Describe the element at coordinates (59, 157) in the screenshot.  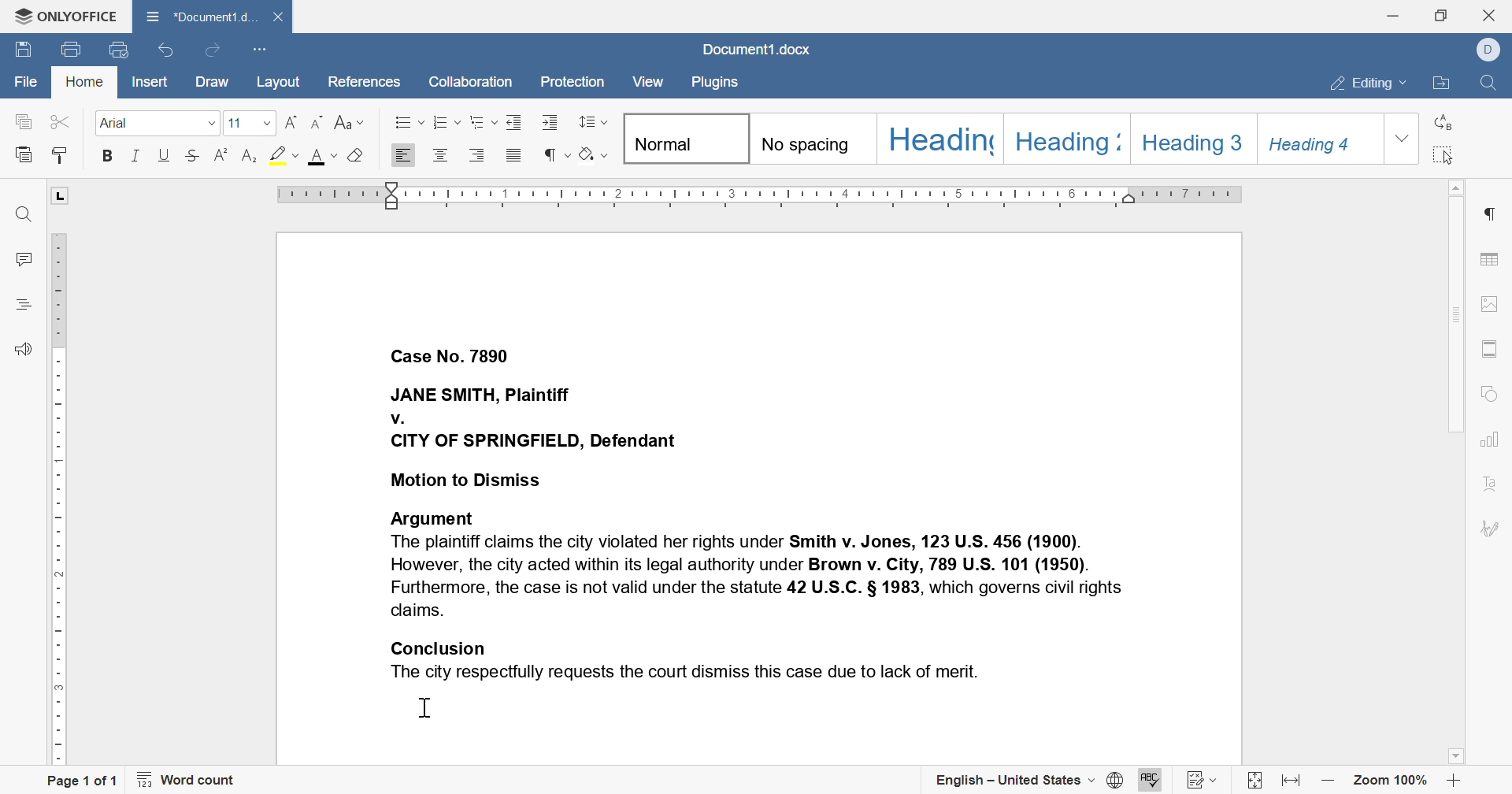
I see `paste` at that location.